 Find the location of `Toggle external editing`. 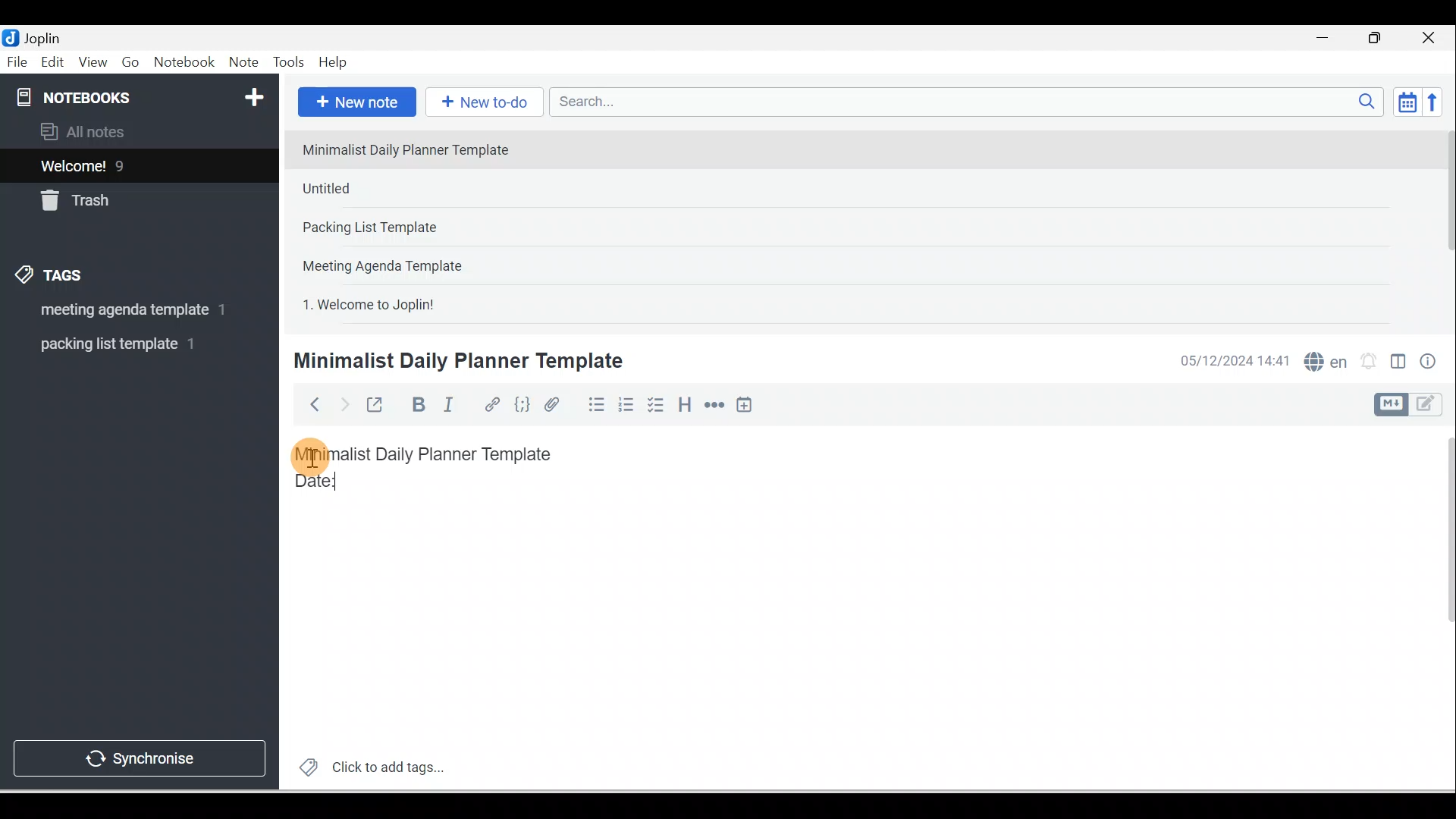

Toggle external editing is located at coordinates (377, 408).